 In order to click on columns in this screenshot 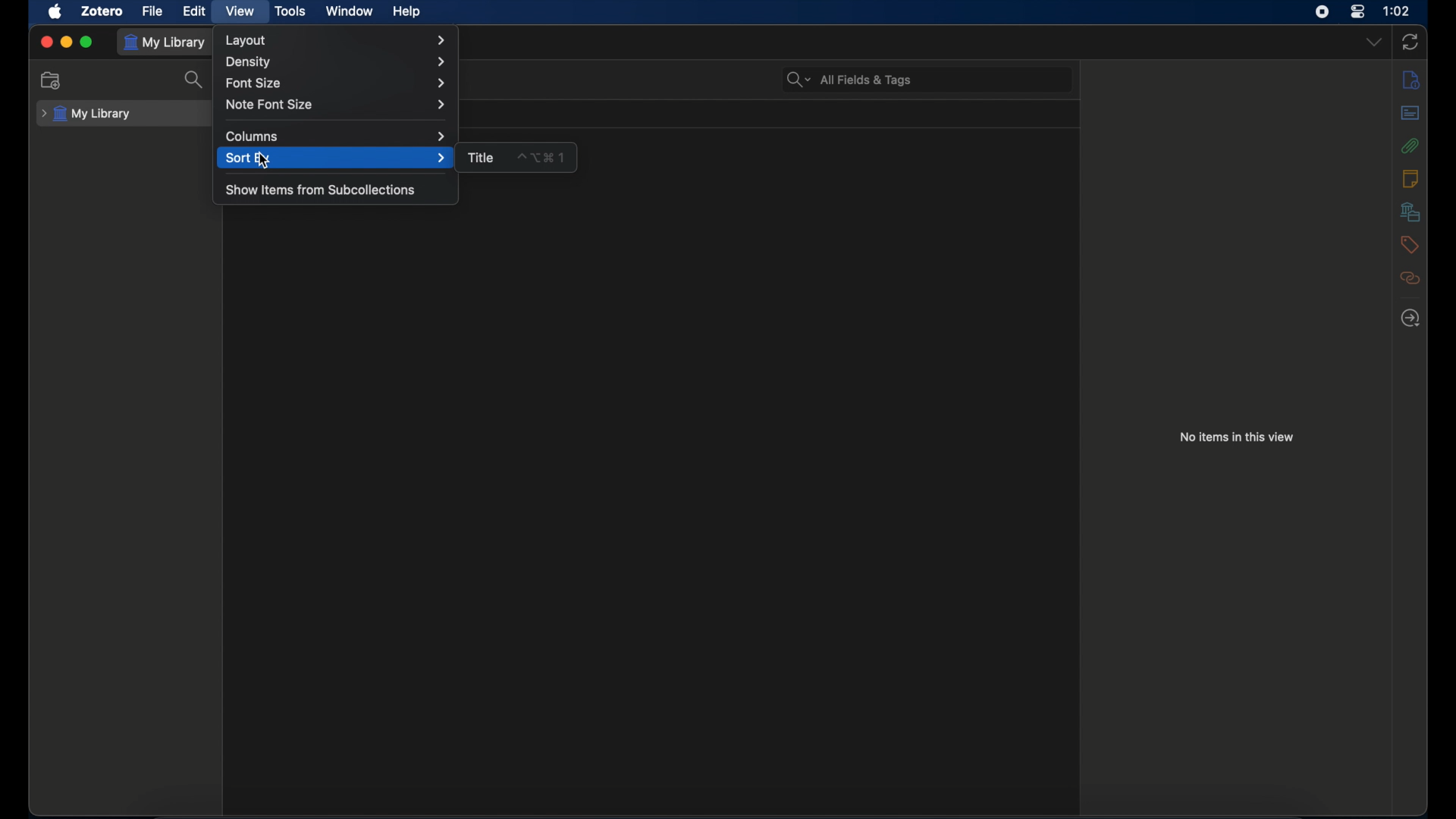, I will do `click(336, 136)`.